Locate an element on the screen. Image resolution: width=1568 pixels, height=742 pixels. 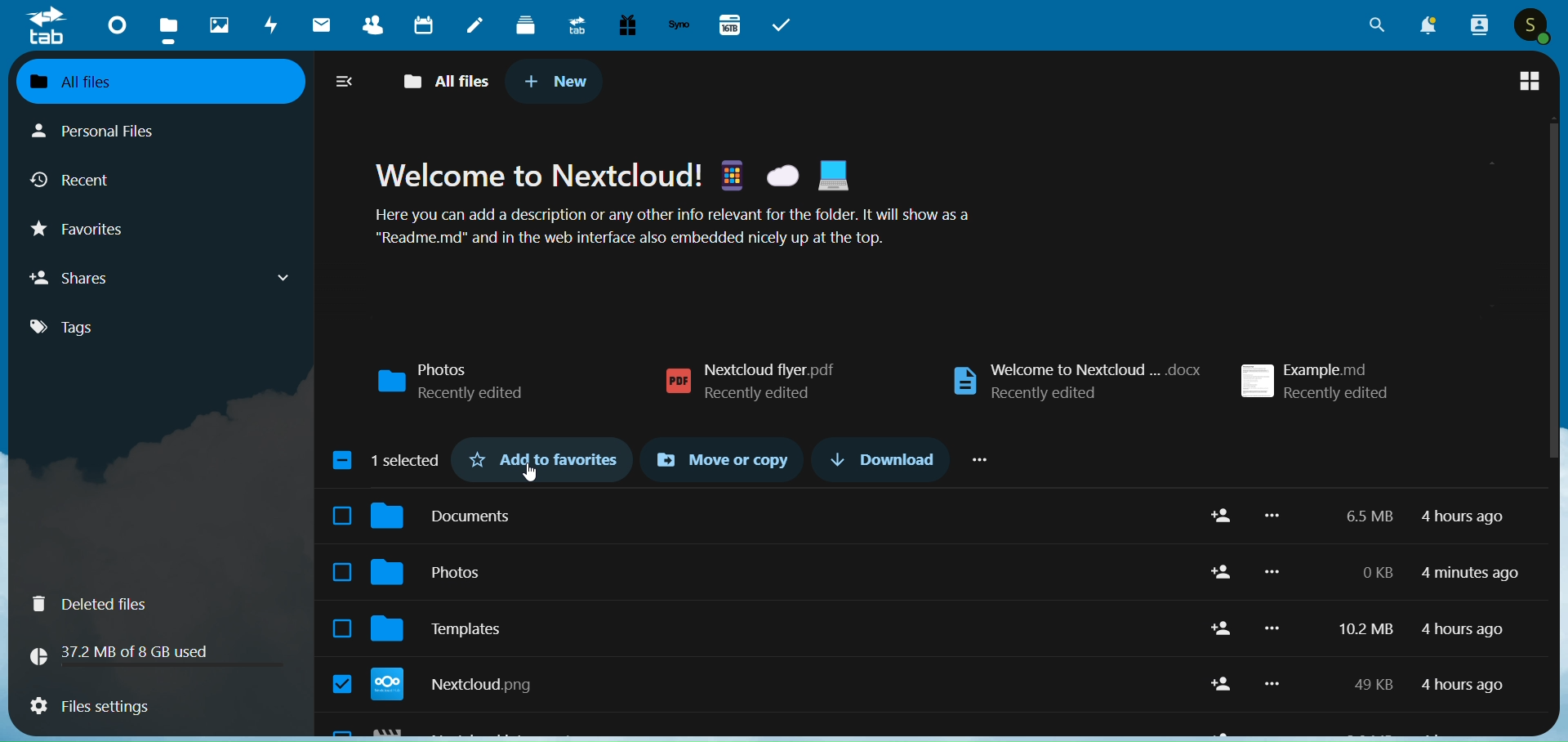
37.2 MB of 8 GB used is located at coordinates (155, 655).